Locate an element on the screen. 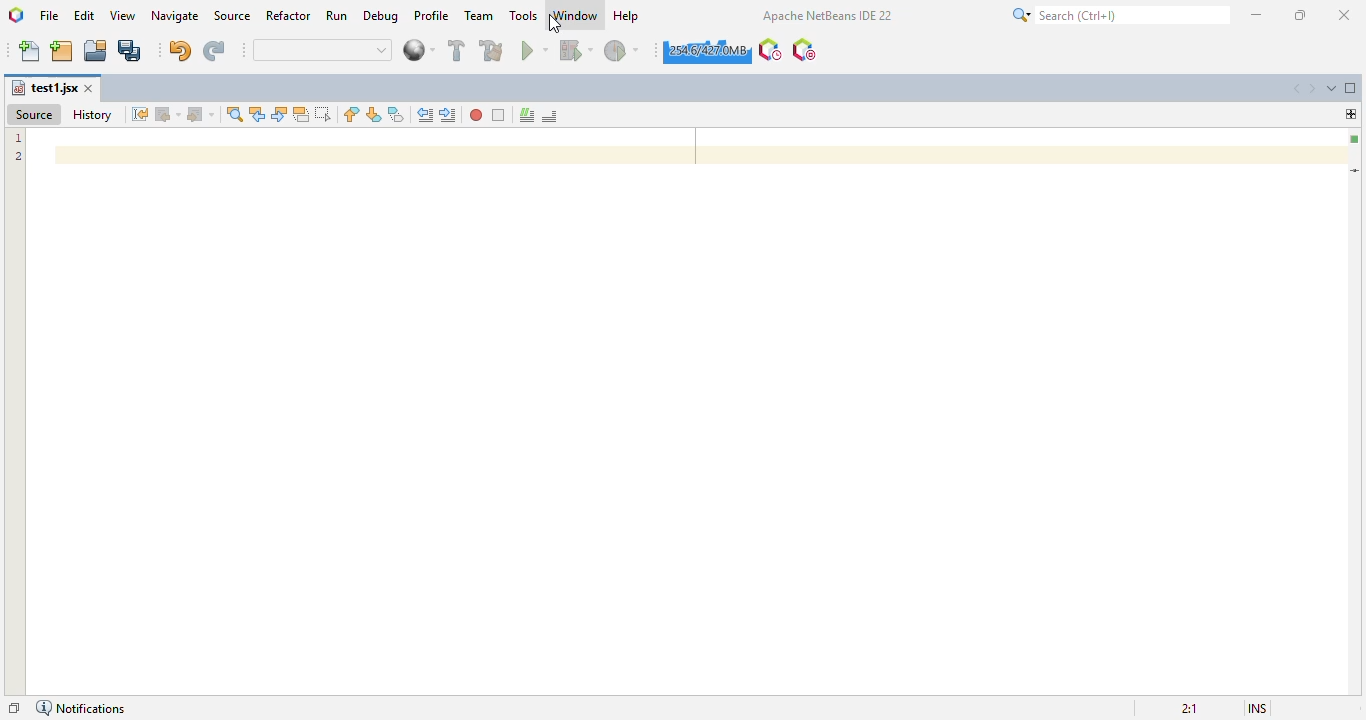 Image resolution: width=1366 pixels, height=720 pixels. clean and build project is located at coordinates (492, 49).